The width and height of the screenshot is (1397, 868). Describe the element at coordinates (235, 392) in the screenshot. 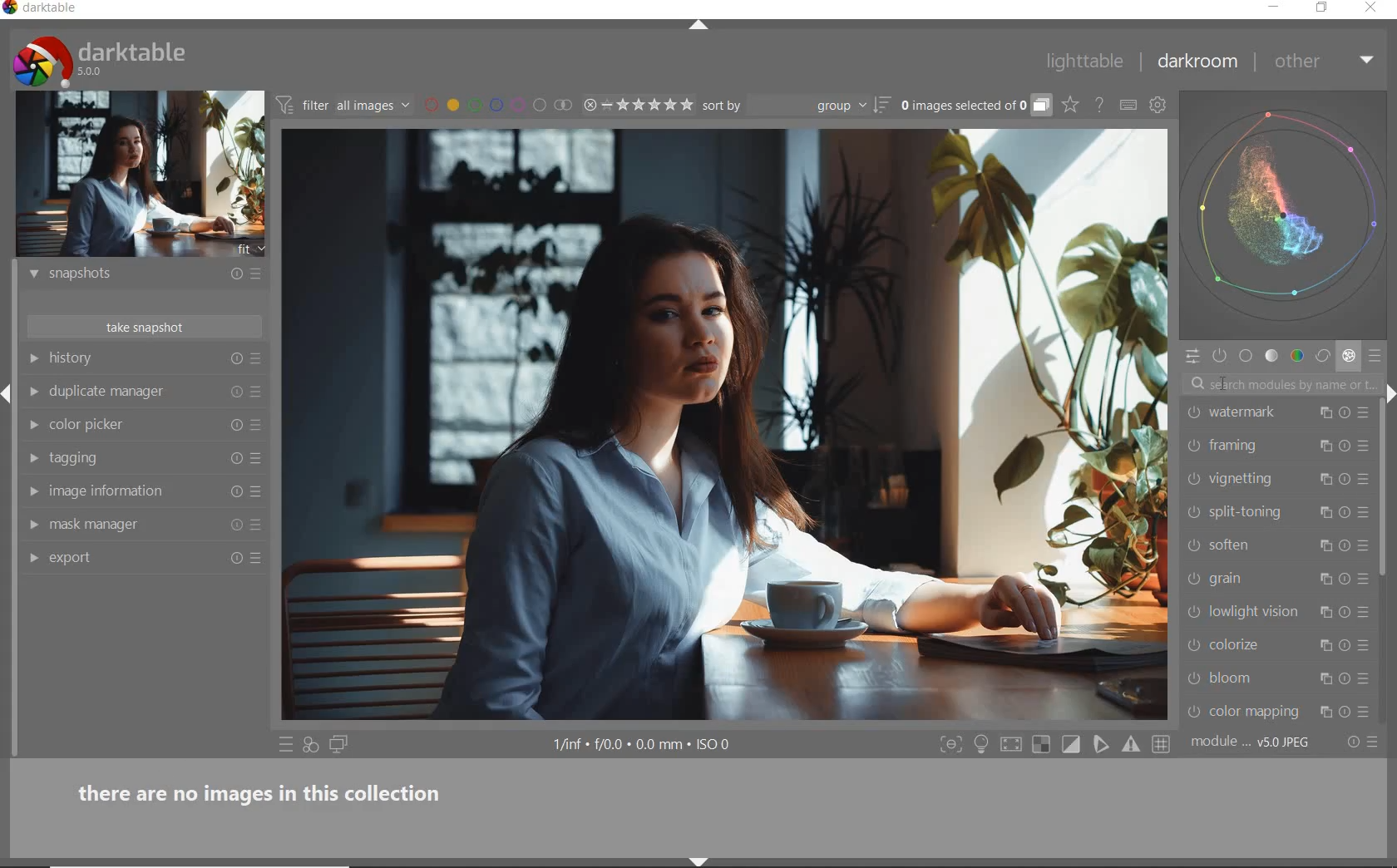

I see `reset` at that location.